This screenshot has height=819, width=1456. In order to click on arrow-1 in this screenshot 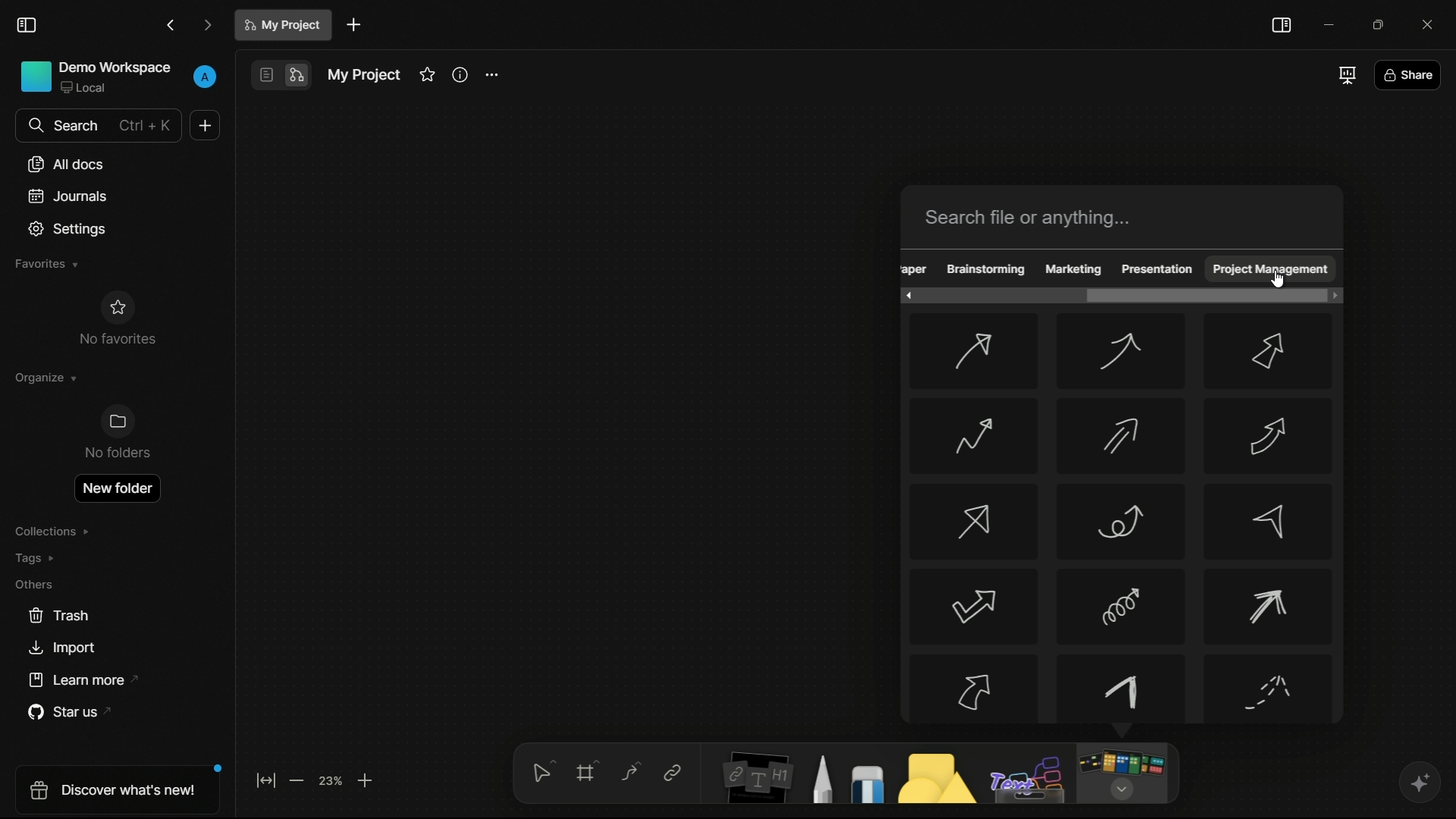, I will do `click(972, 352)`.